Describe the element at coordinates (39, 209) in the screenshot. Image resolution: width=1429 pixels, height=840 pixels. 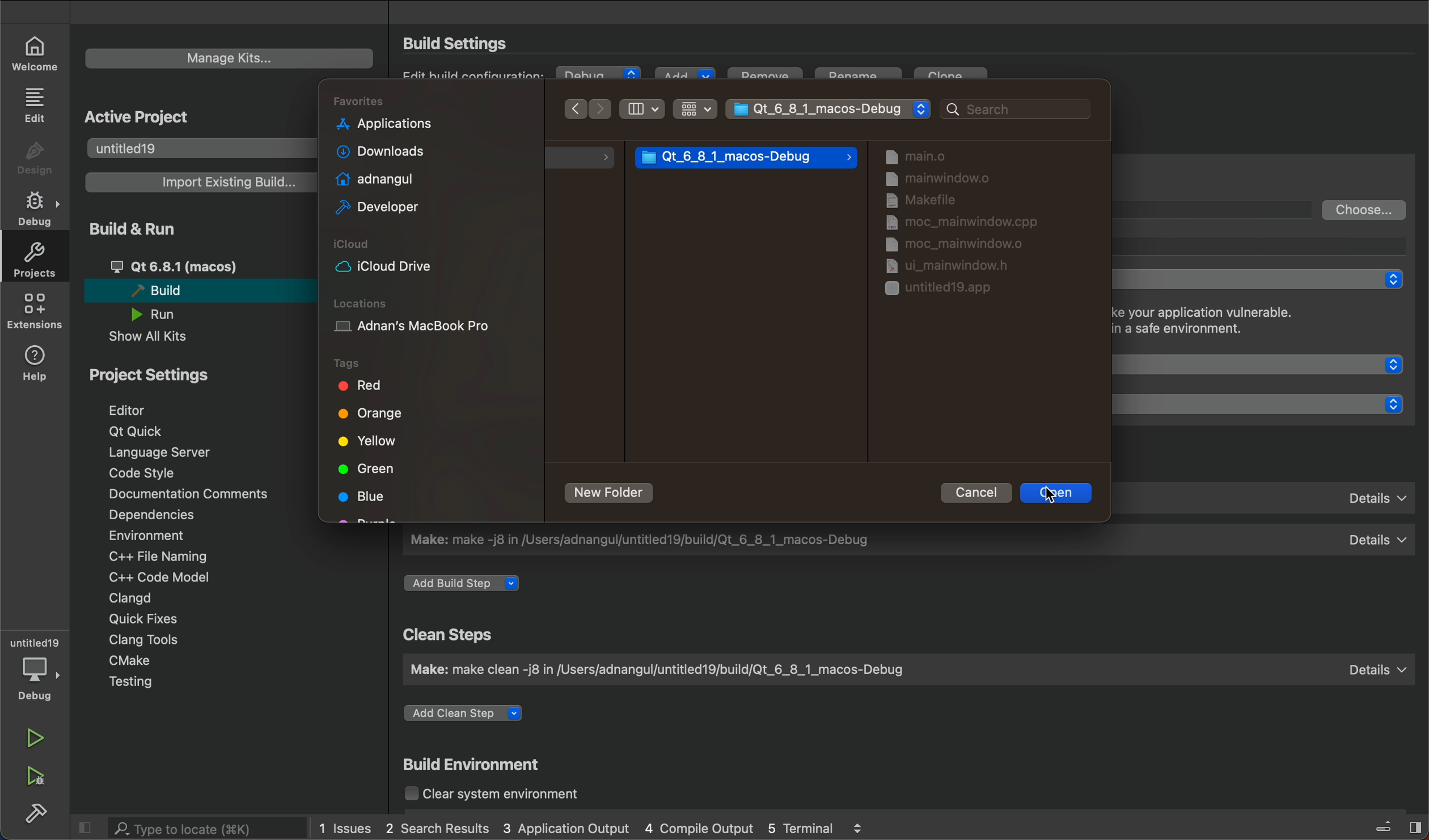
I see `debug` at that location.